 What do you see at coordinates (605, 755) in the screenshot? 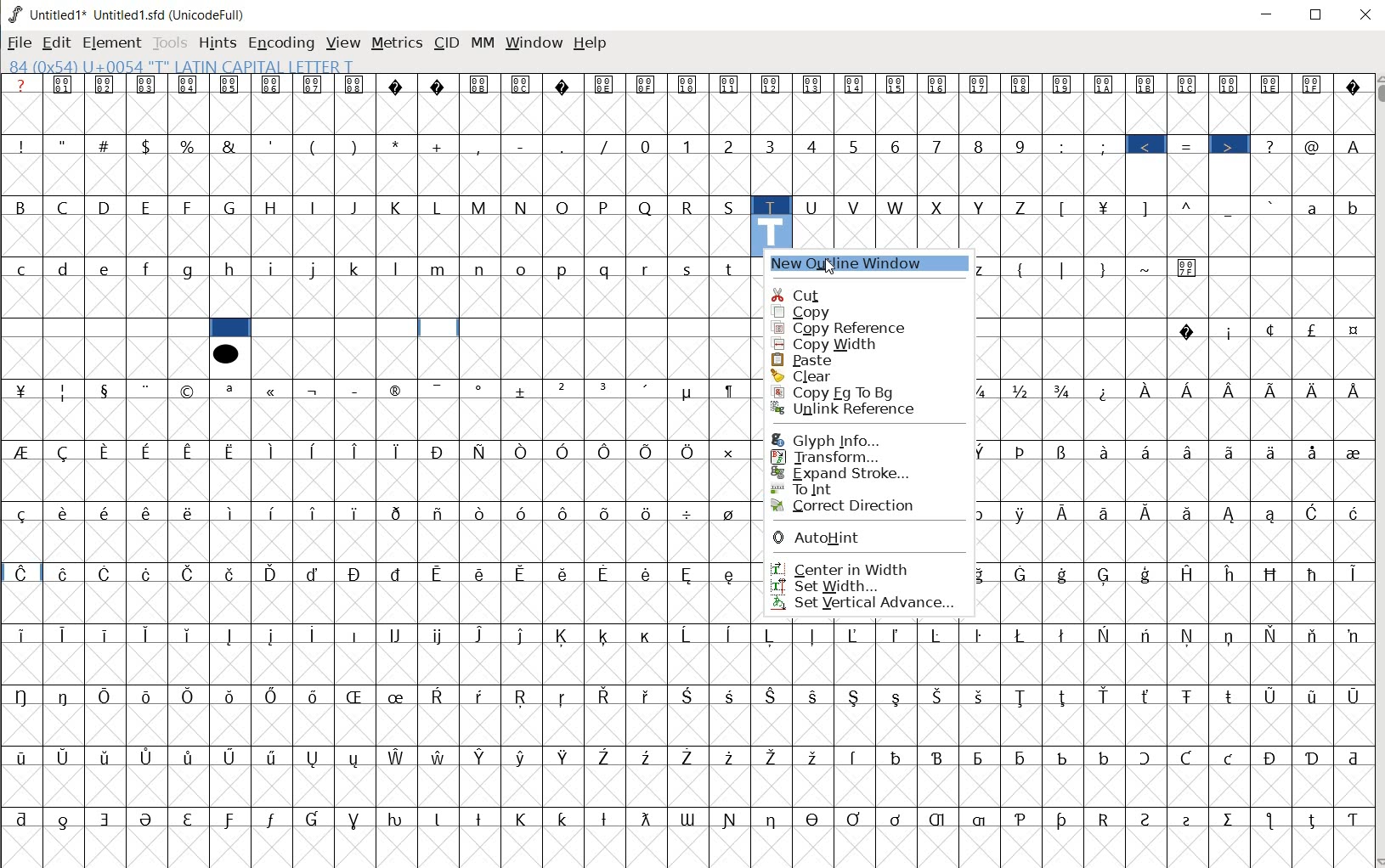
I see `Symbol` at bounding box center [605, 755].